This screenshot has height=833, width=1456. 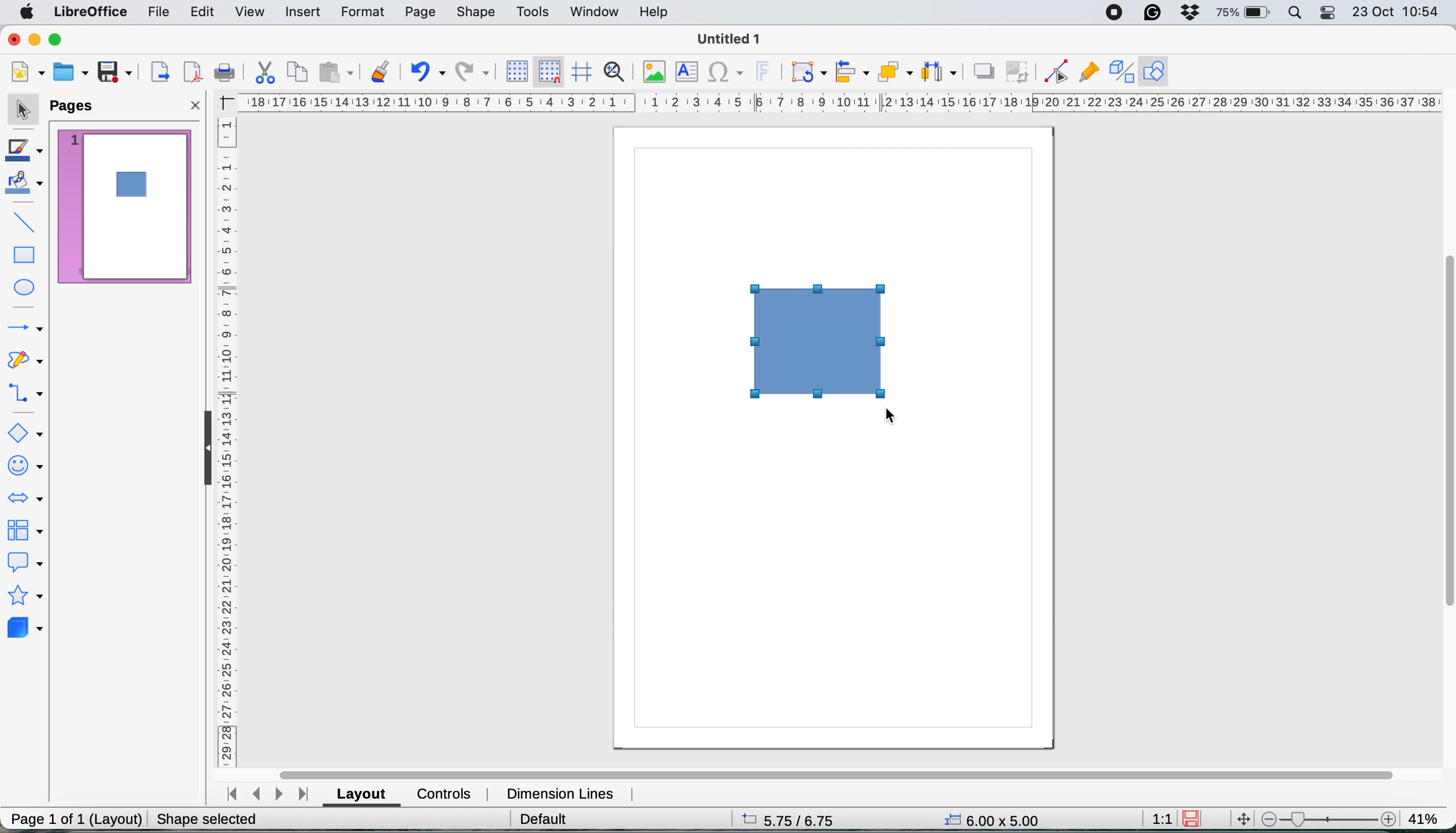 What do you see at coordinates (1156, 70) in the screenshot?
I see `show draw function` at bounding box center [1156, 70].